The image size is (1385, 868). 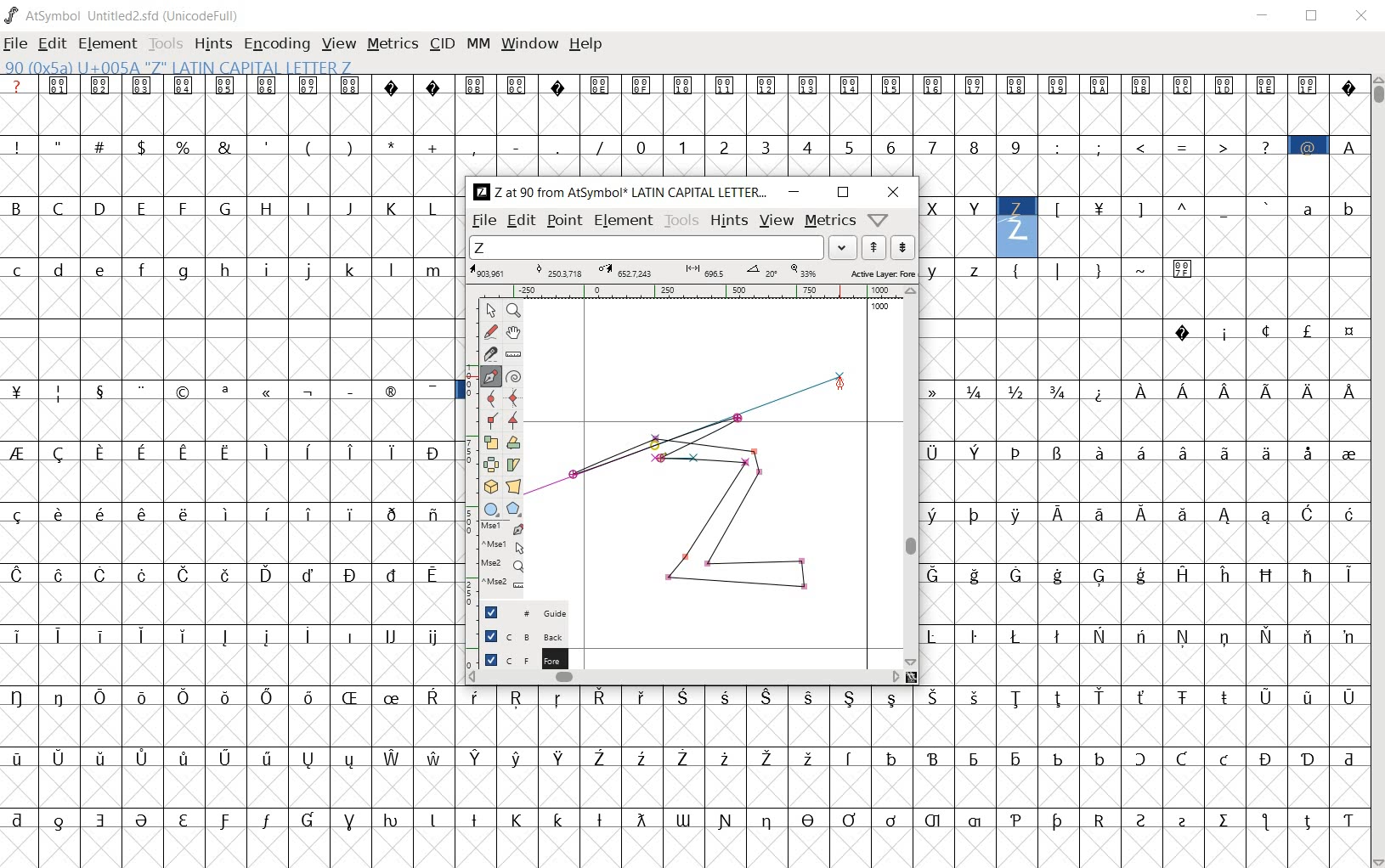 What do you see at coordinates (909, 476) in the screenshot?
I see `scrollbar` at bounding box center [909, 476].